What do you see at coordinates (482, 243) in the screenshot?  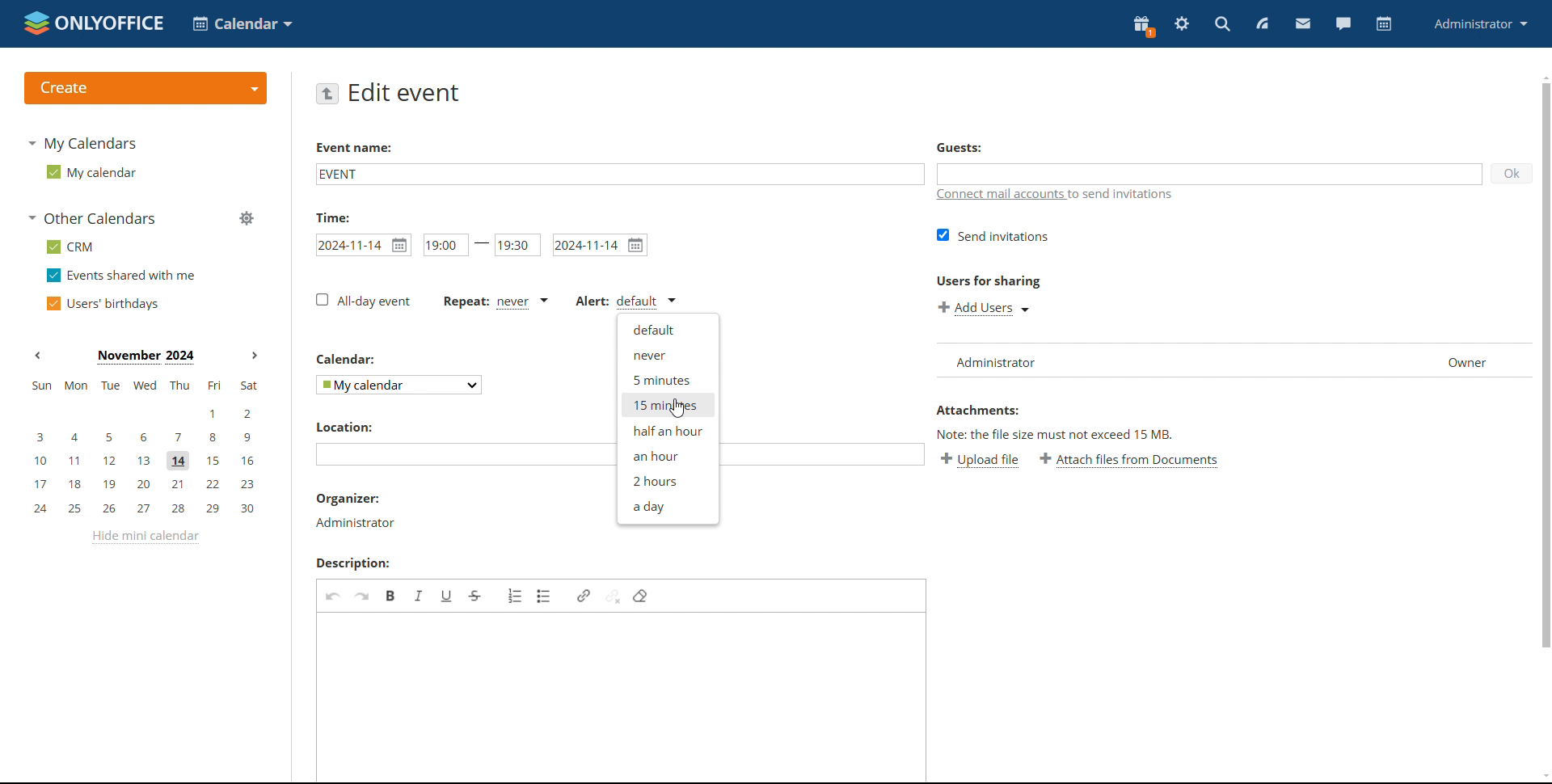 I see `-` at bounding box center [482, 243].